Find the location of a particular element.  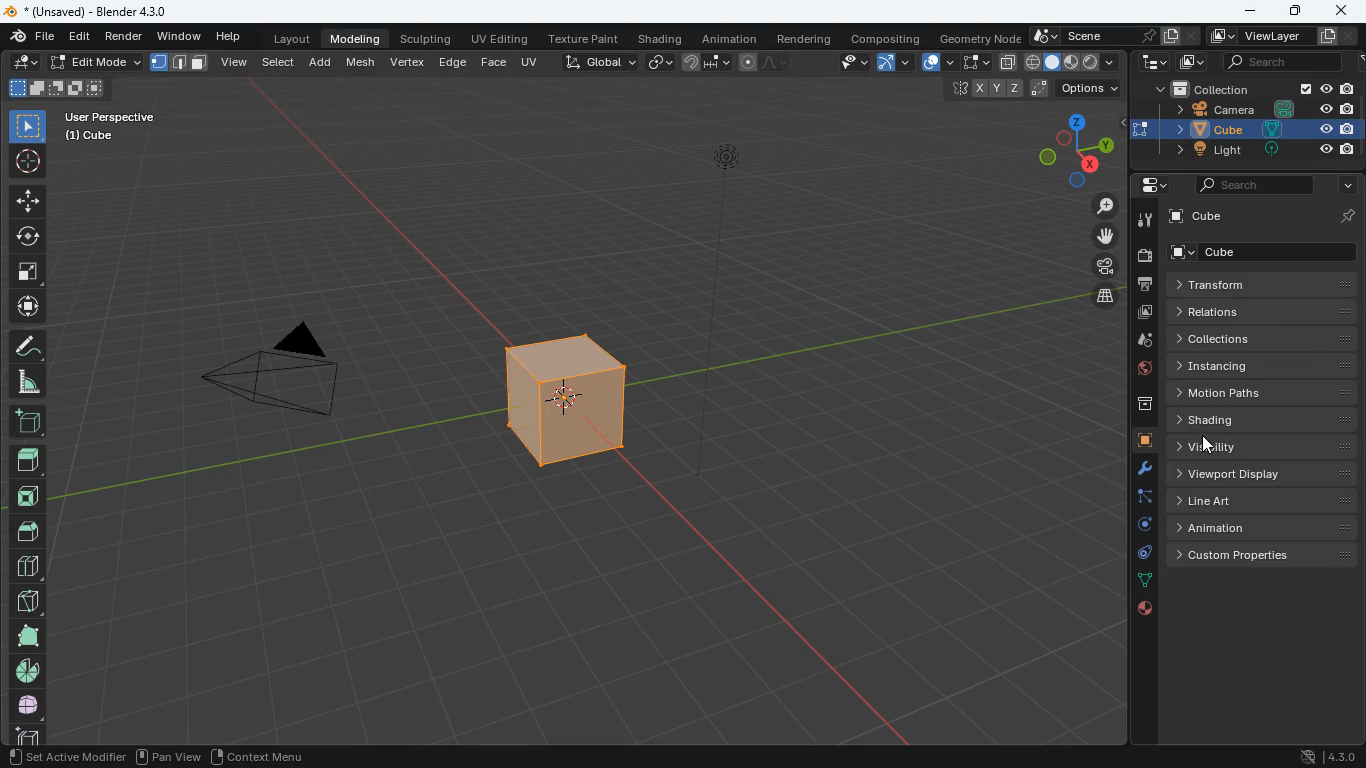

copy is located at coordinates (1006, 63).